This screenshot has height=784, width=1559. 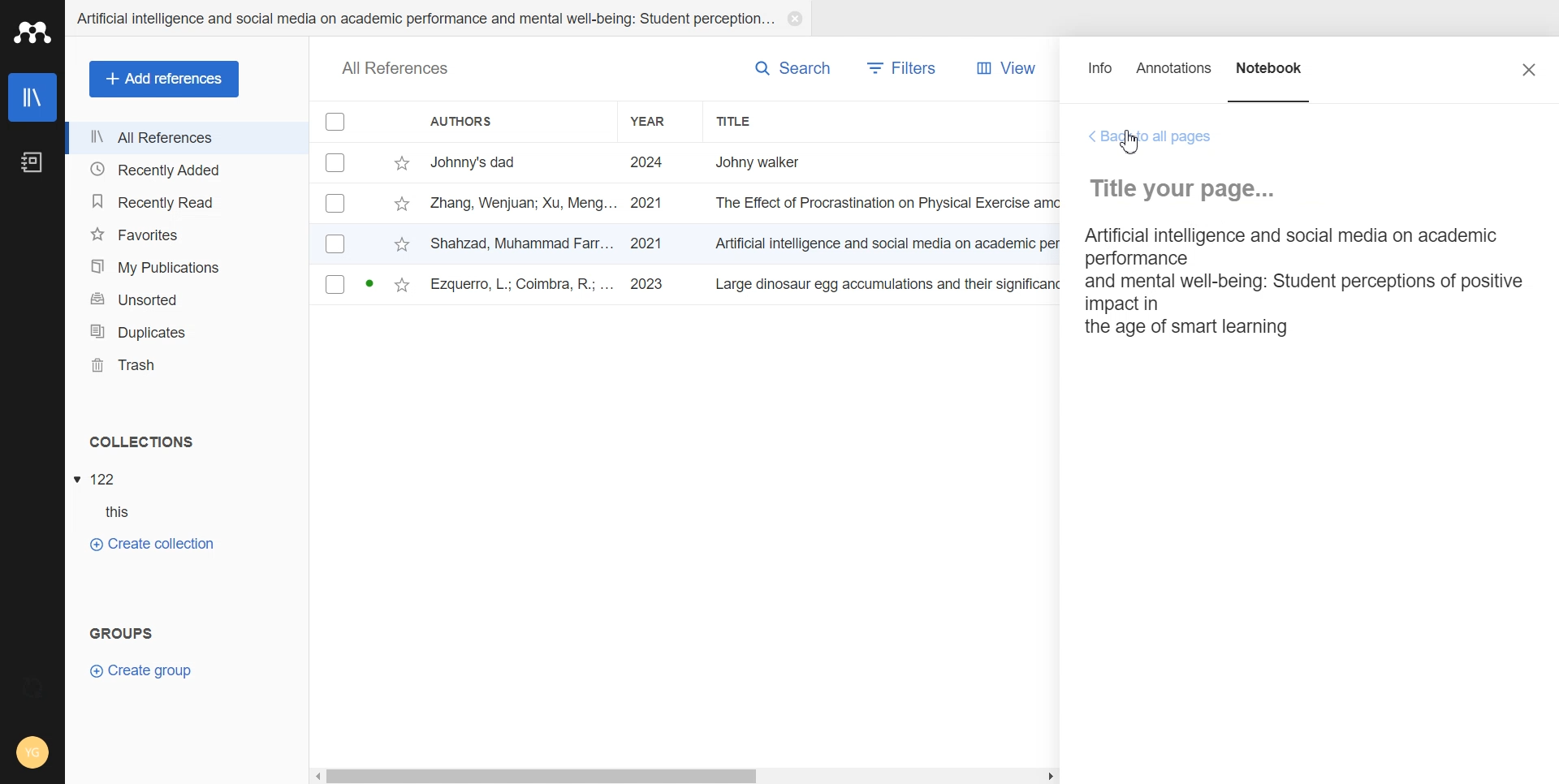 What do you see at coordinates (890, 241) in the screenshot?
I see `Artificial intelligence and social media on academic per` at bounding box center [890, 241].